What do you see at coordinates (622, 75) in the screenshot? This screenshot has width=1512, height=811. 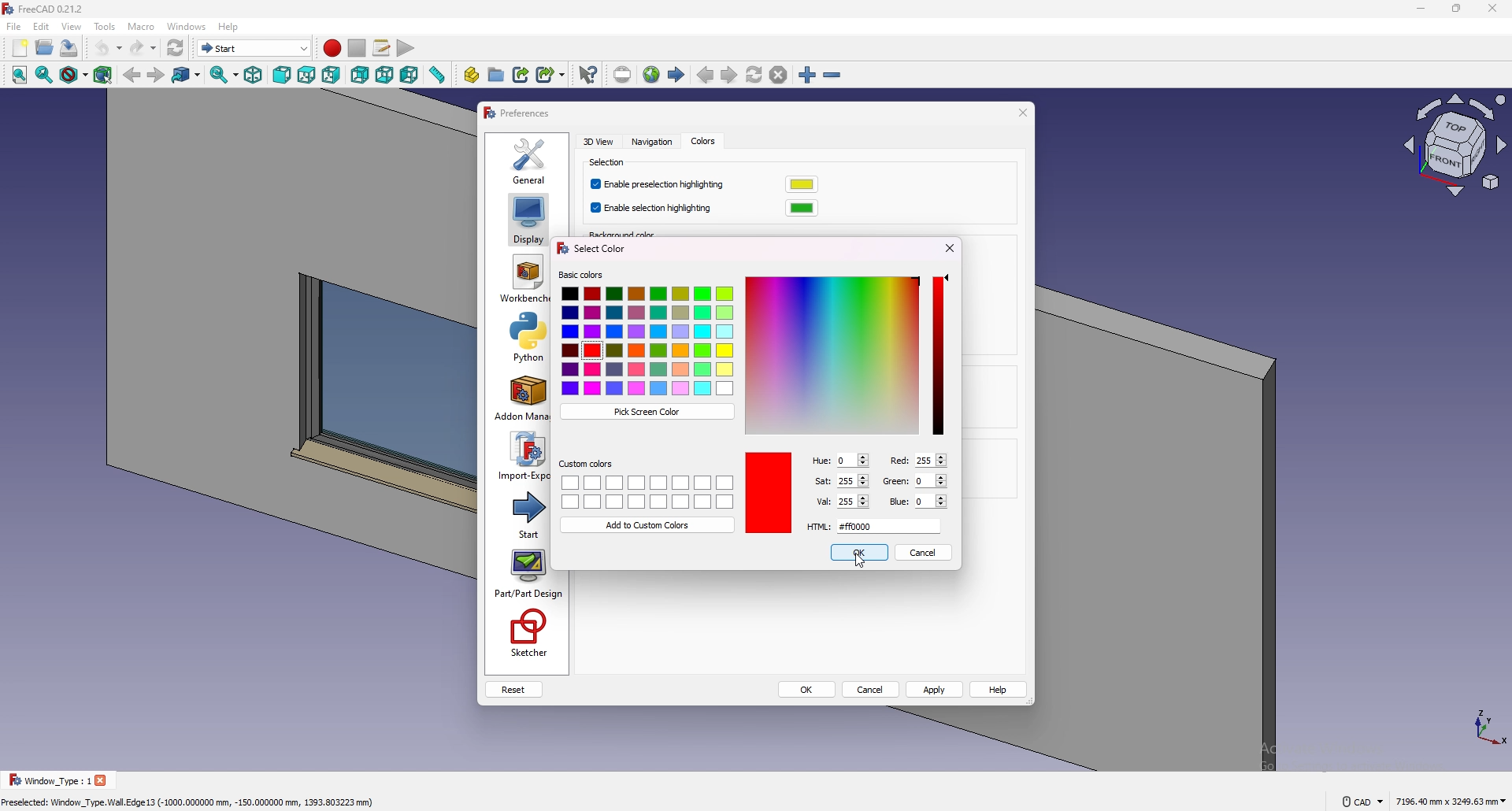 I see `set url` at bounding box center [622, 75].